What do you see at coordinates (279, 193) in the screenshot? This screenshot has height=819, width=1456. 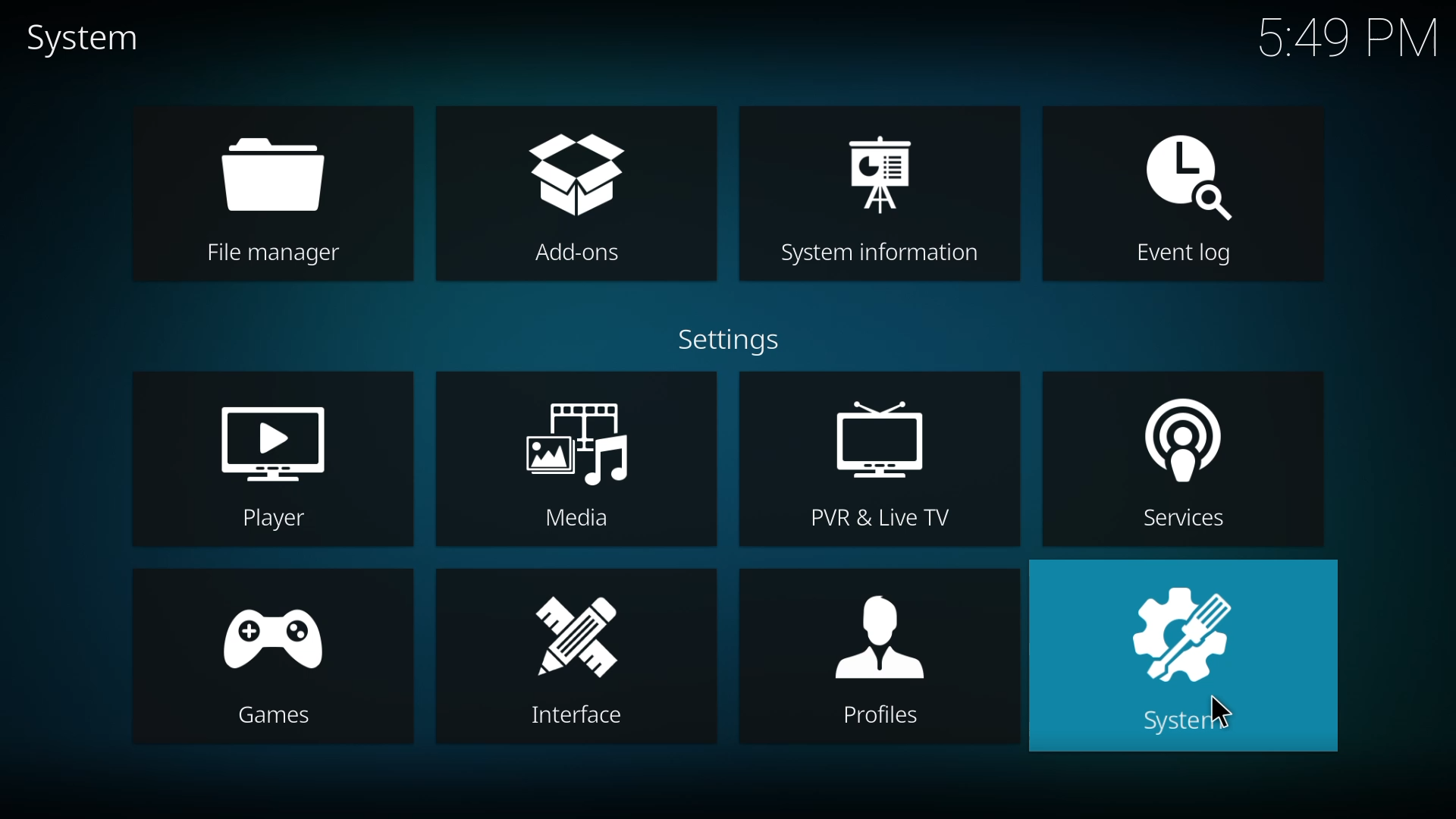 I see `file manager` at bounding box center [279, 193].